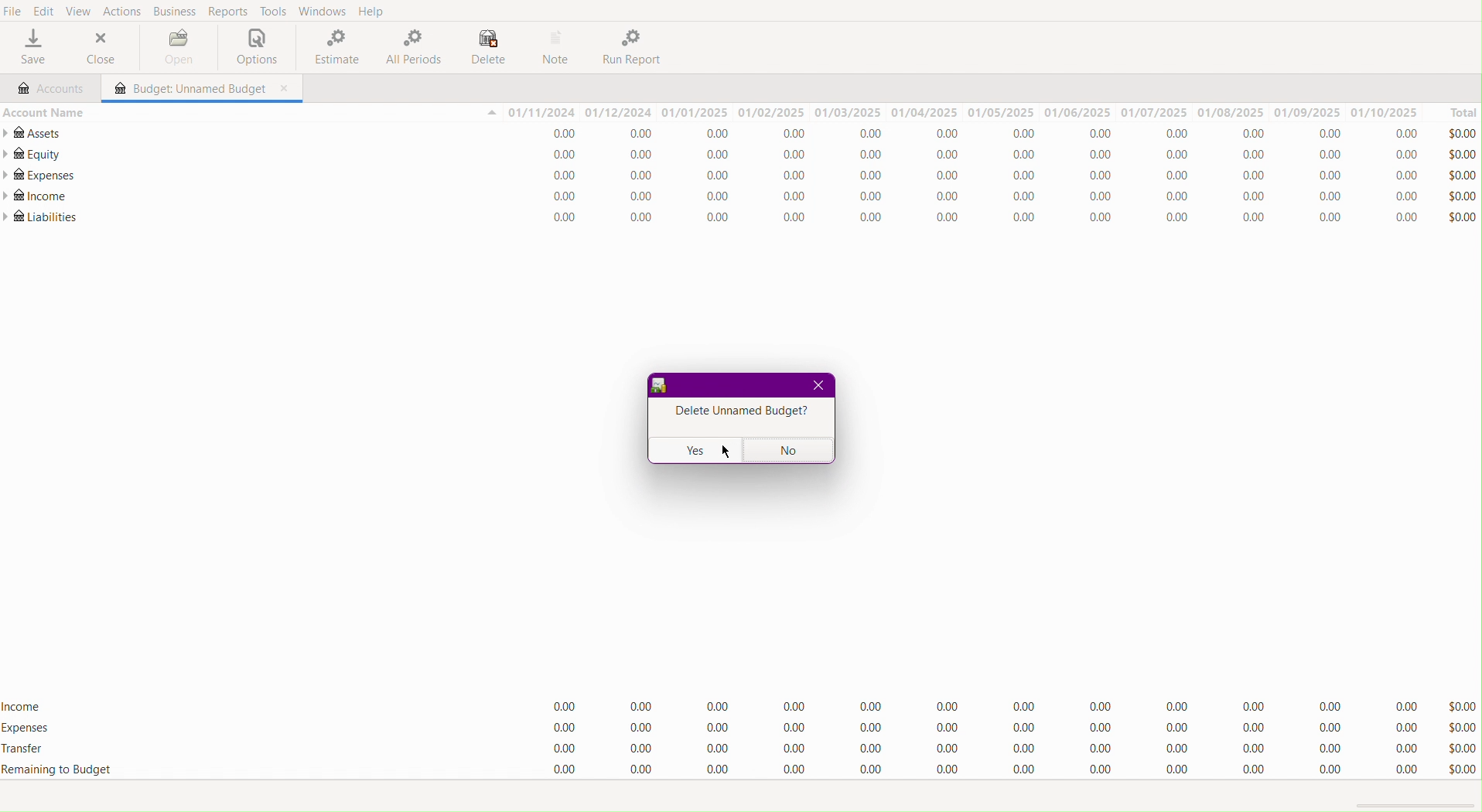  What do you see at coordinates (694, 450) in the screenshot?
I see `Yes` at bounding box center [694, 450].